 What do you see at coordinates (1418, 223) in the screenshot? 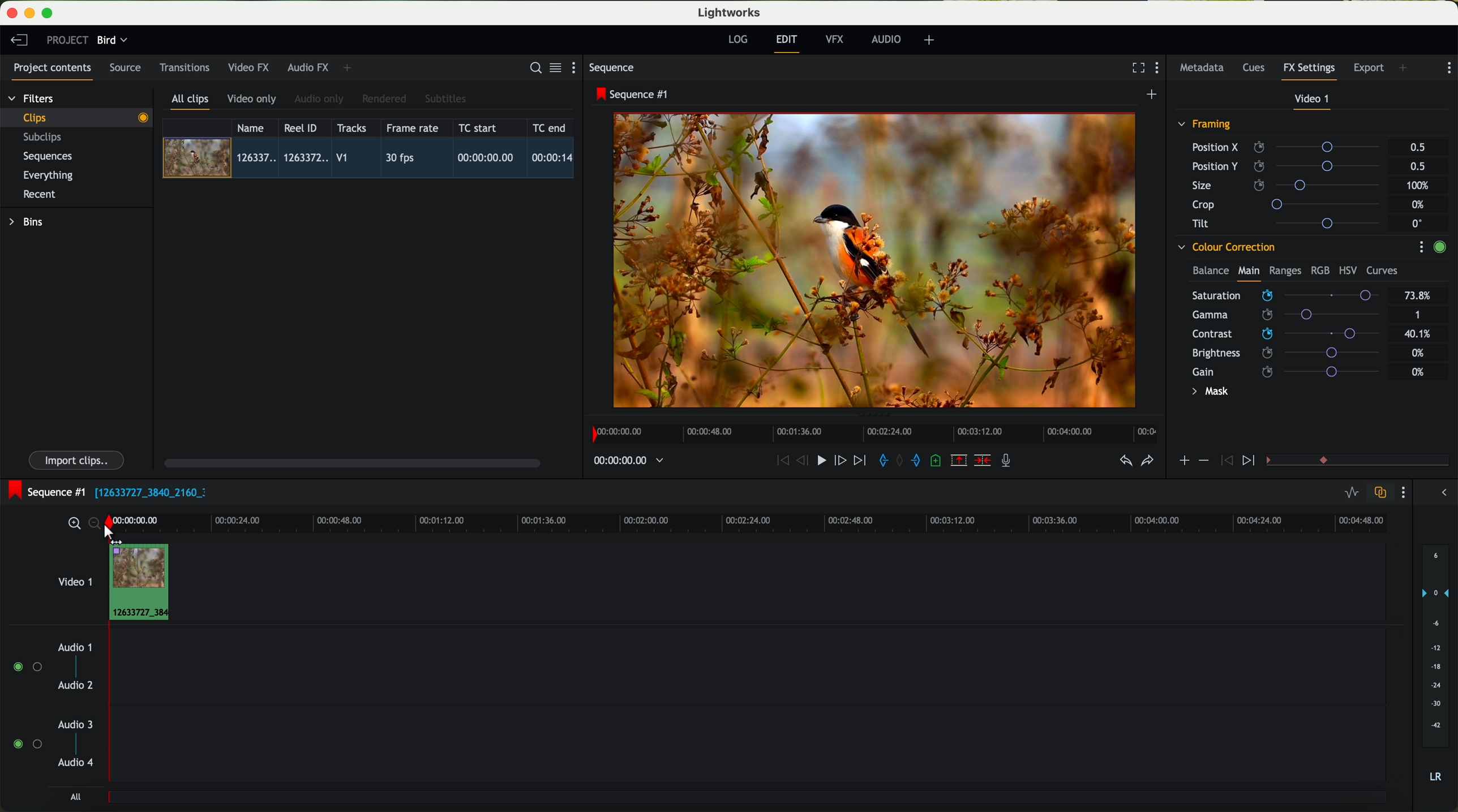
I see `0°` at bounding box center [1418, 223].